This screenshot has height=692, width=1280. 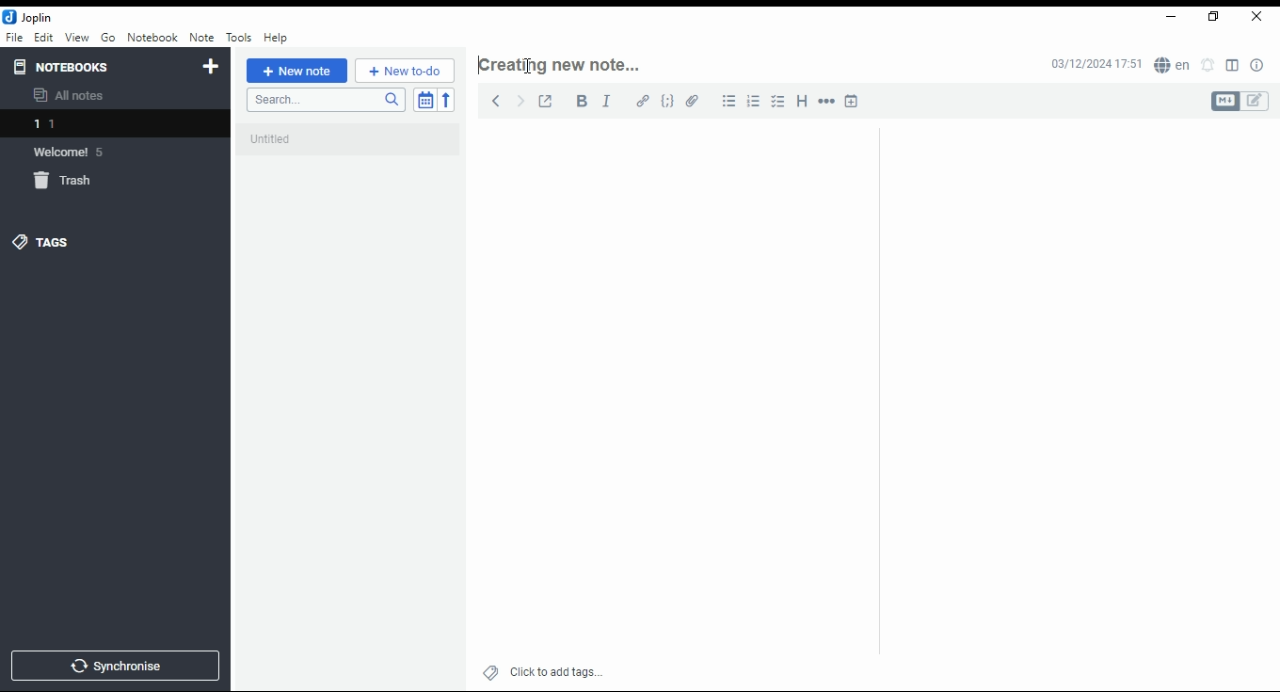 I want to click on insert time, so click(x=851, y=100).